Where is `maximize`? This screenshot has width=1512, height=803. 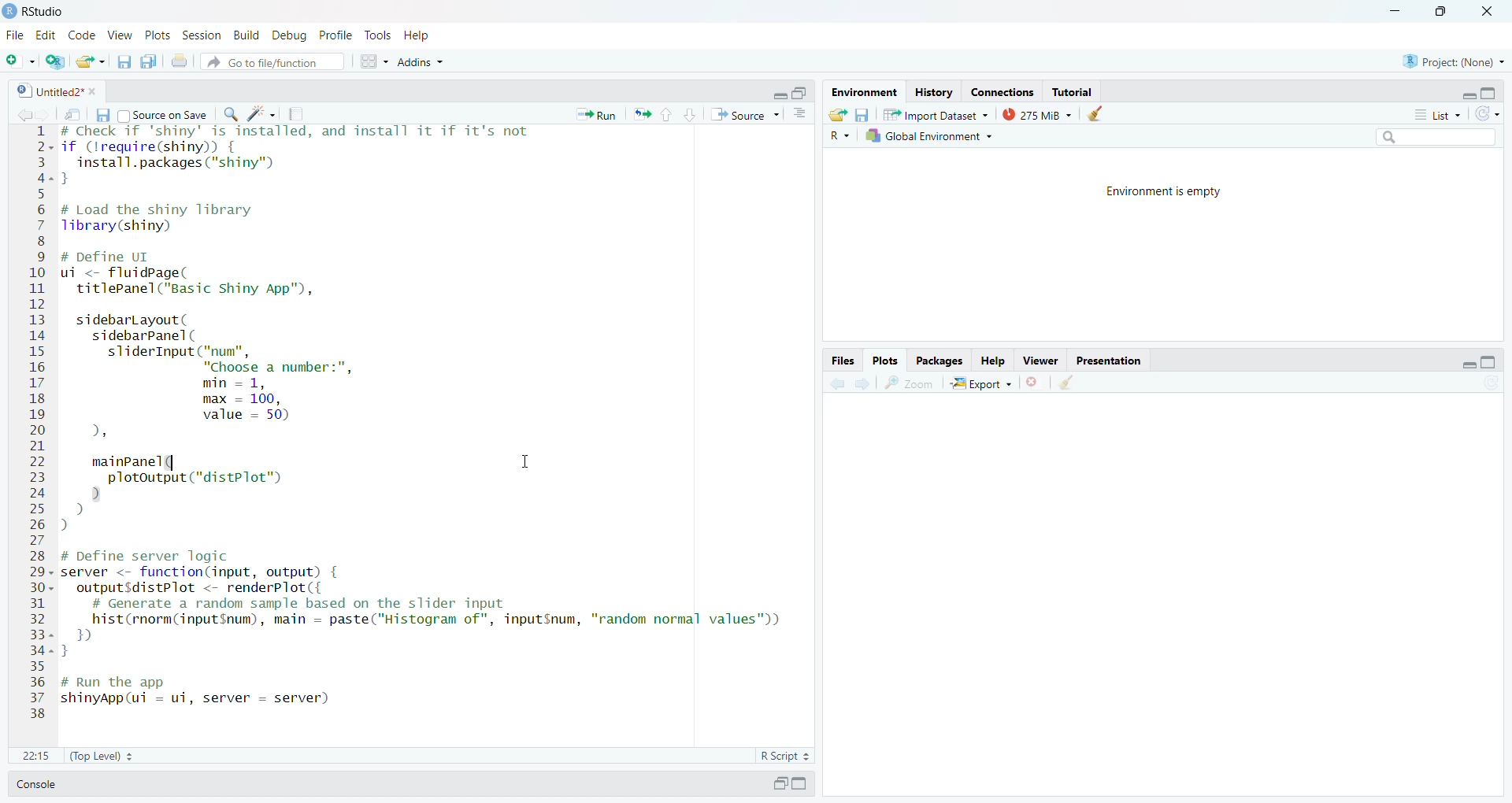 maximize is located at coordinates (1490, 362).